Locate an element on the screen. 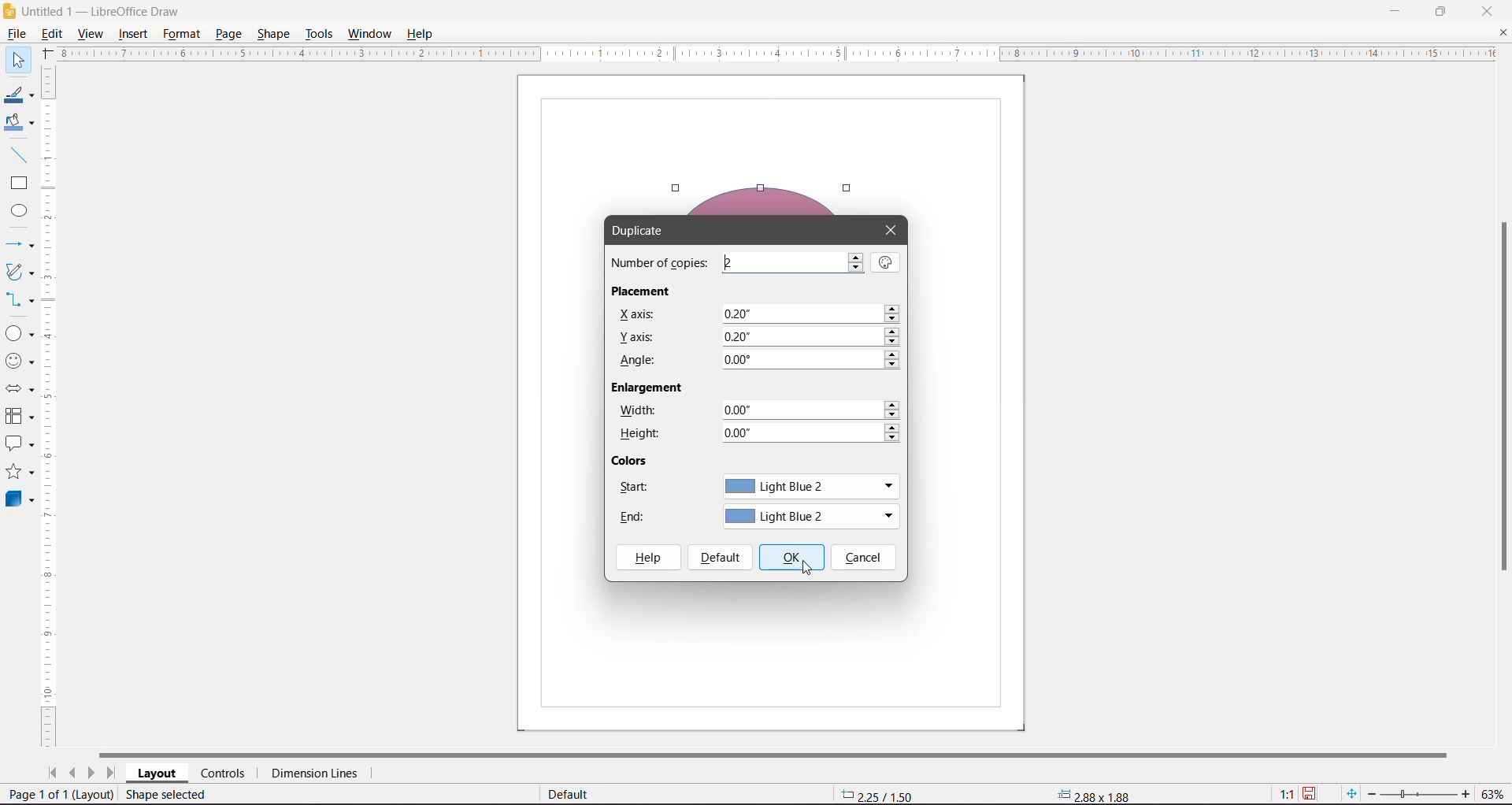 The image size is (1512, 805). Basic Shapes is located at coordinates (20, 333).